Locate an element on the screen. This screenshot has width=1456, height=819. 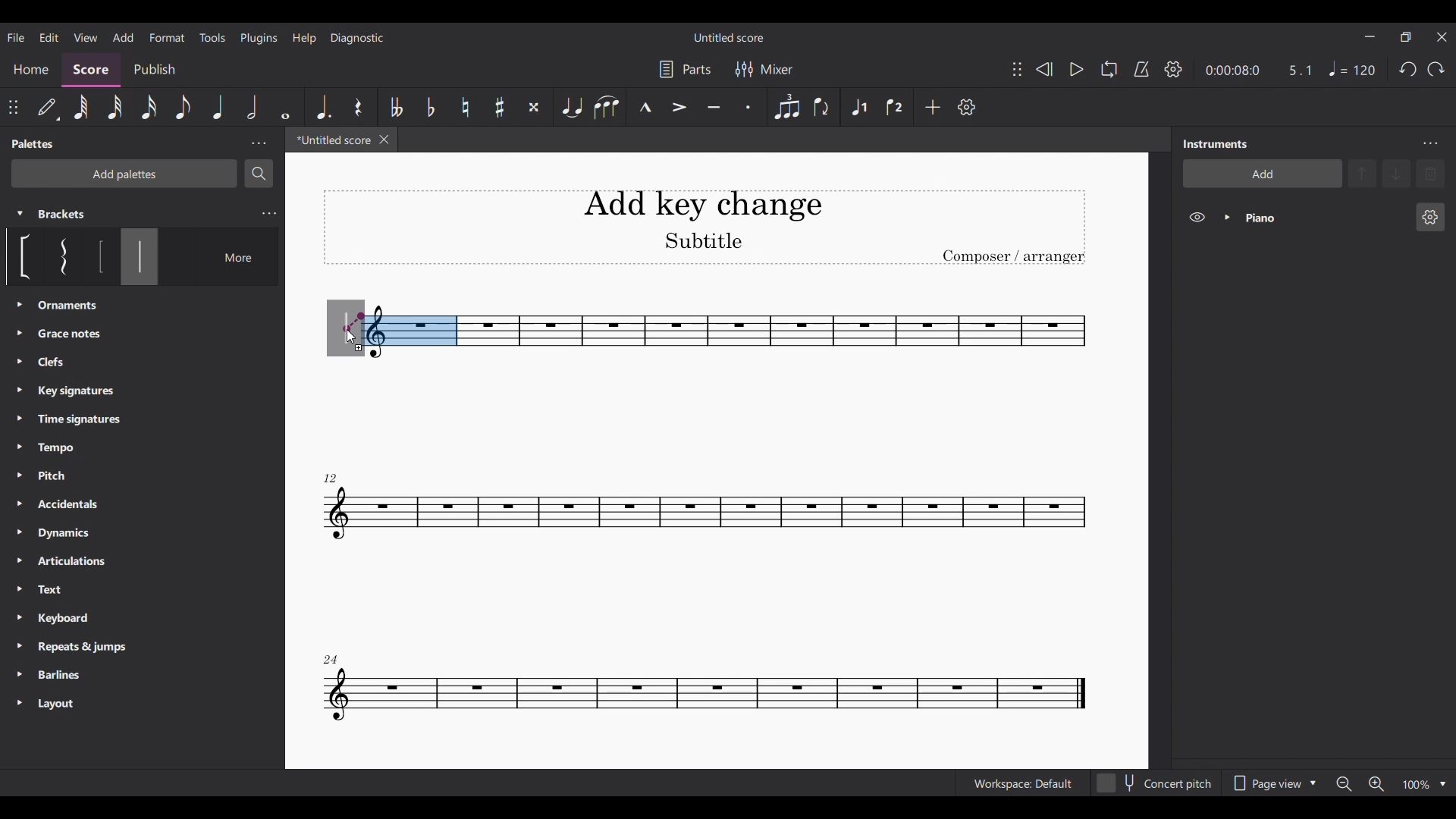
Add instruments is located at coordinates (1263, 173).